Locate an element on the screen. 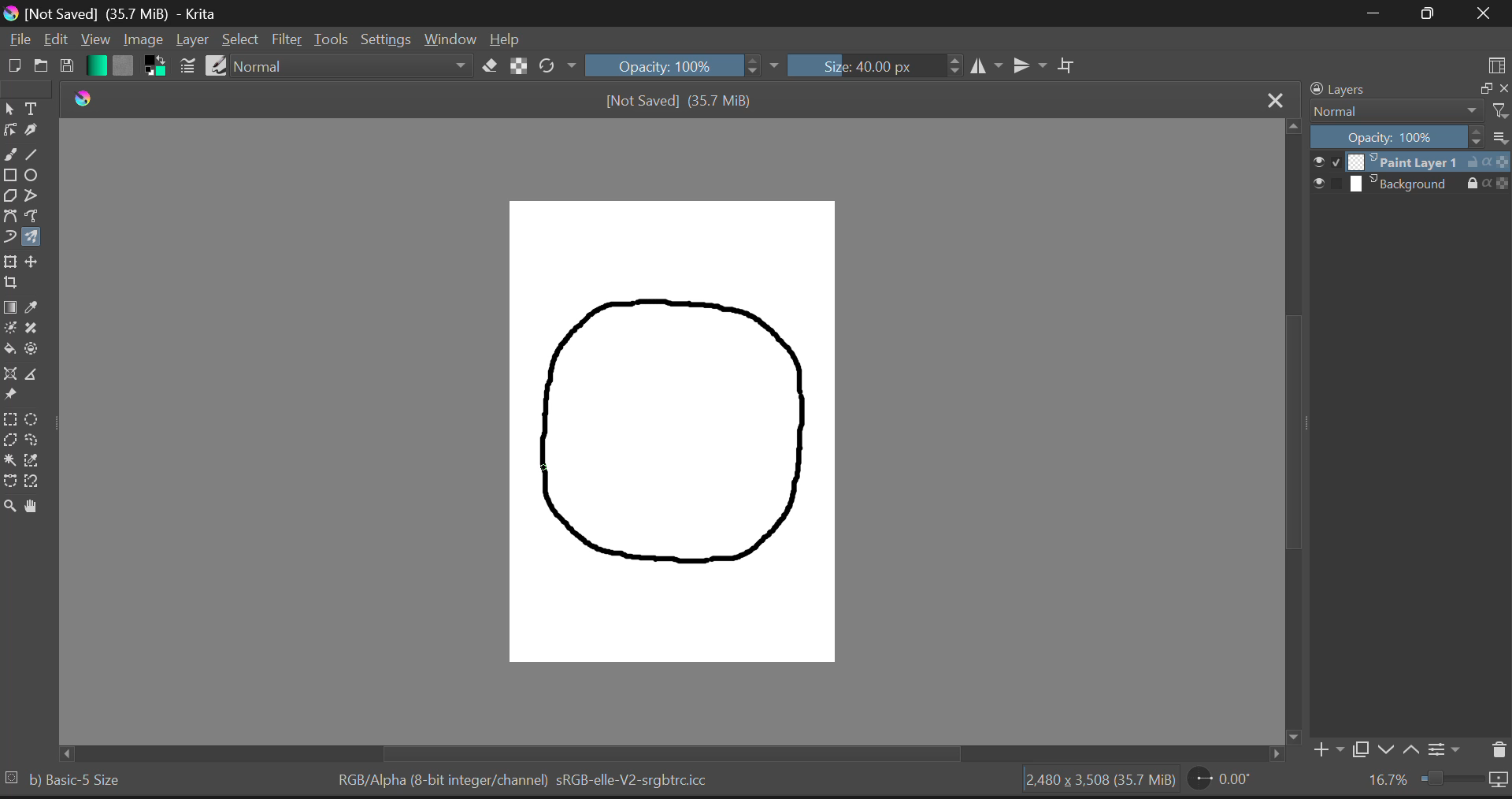 The width and height of the screenshot is (1512, 799). Line is located at coordinates (35, 152).